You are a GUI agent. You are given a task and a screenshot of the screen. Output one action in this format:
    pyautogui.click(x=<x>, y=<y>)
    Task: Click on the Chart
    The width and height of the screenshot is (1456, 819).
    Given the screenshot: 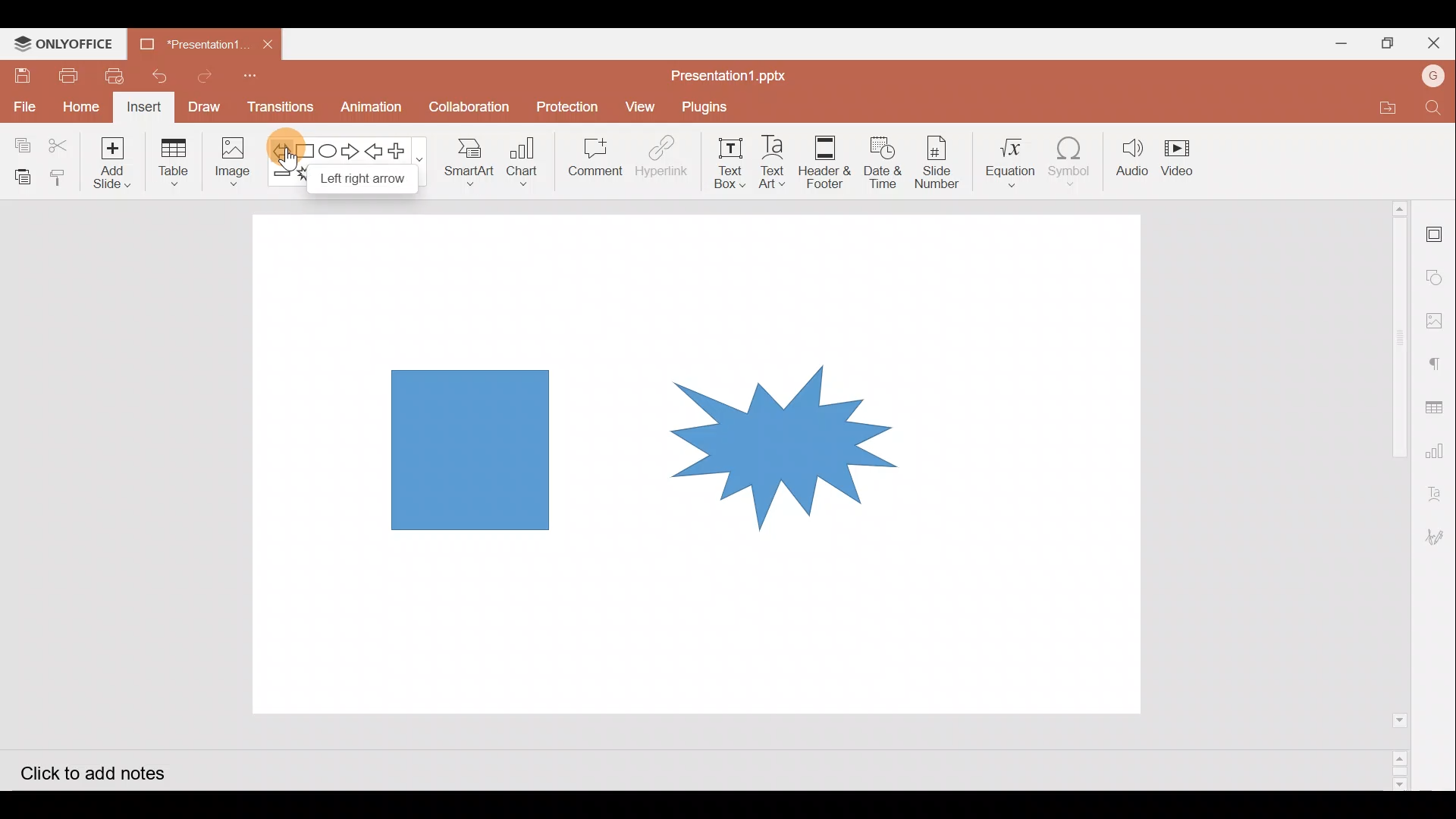 What is the action you would take?
    pyautogui.click(x=526, y=166)
    